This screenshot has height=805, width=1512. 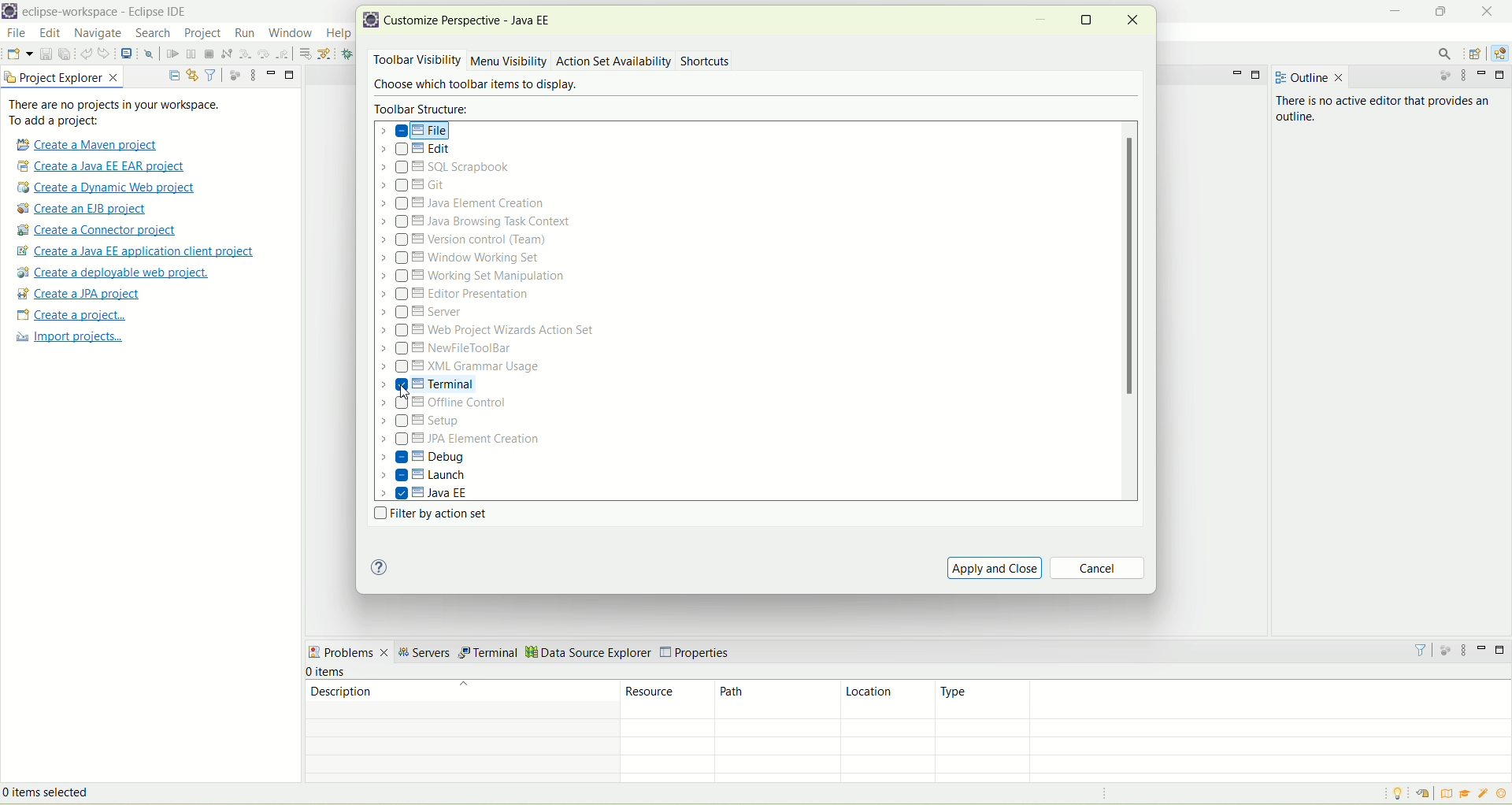 What do you see at coordinates (427, 515) in the screenshot?
I see `filter by action set` at bounding box center [427, 515].